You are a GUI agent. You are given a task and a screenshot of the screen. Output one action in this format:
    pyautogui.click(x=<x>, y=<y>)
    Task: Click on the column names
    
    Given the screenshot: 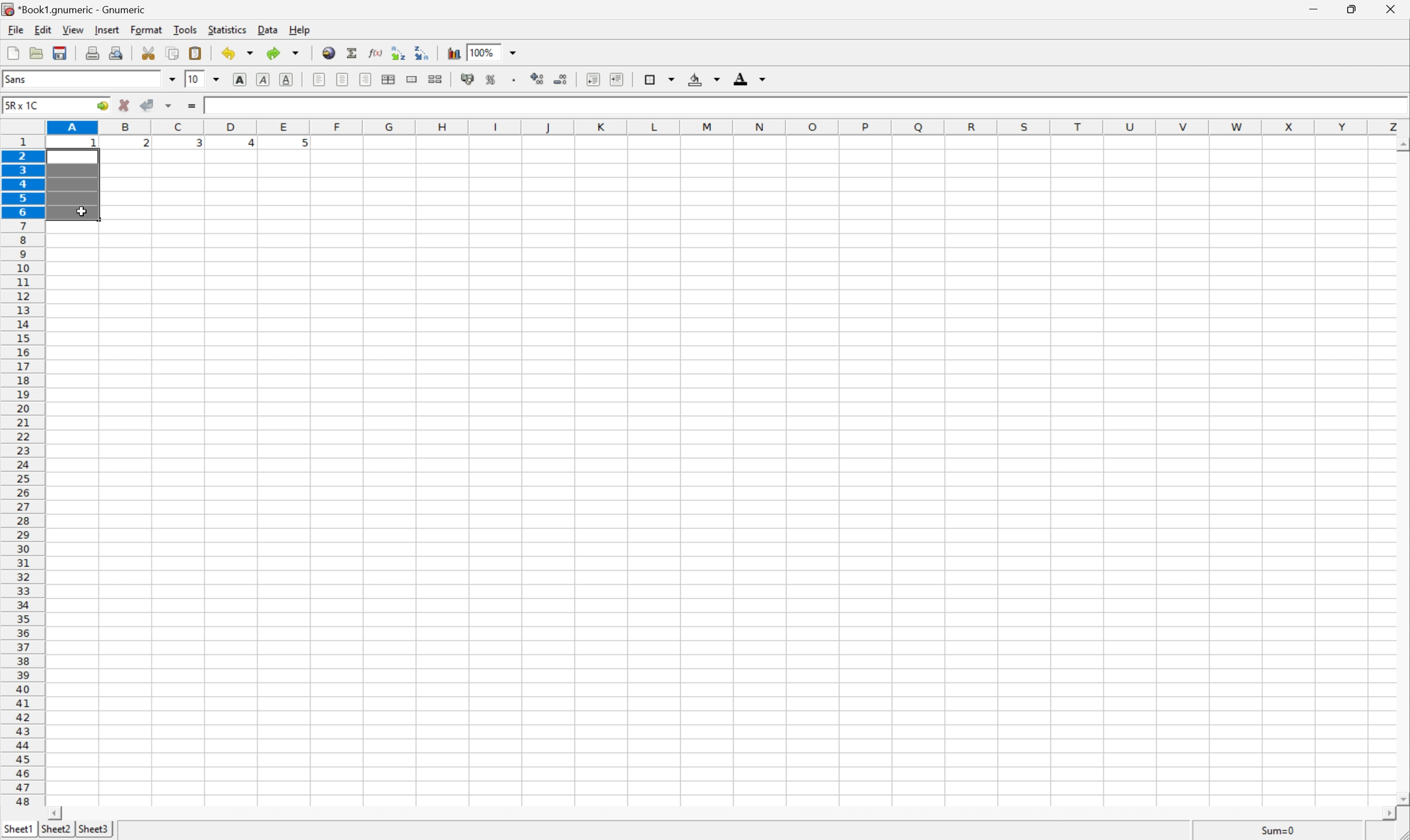 What is the action you would take?
    pyautogui.click(x=728, y=127)
    